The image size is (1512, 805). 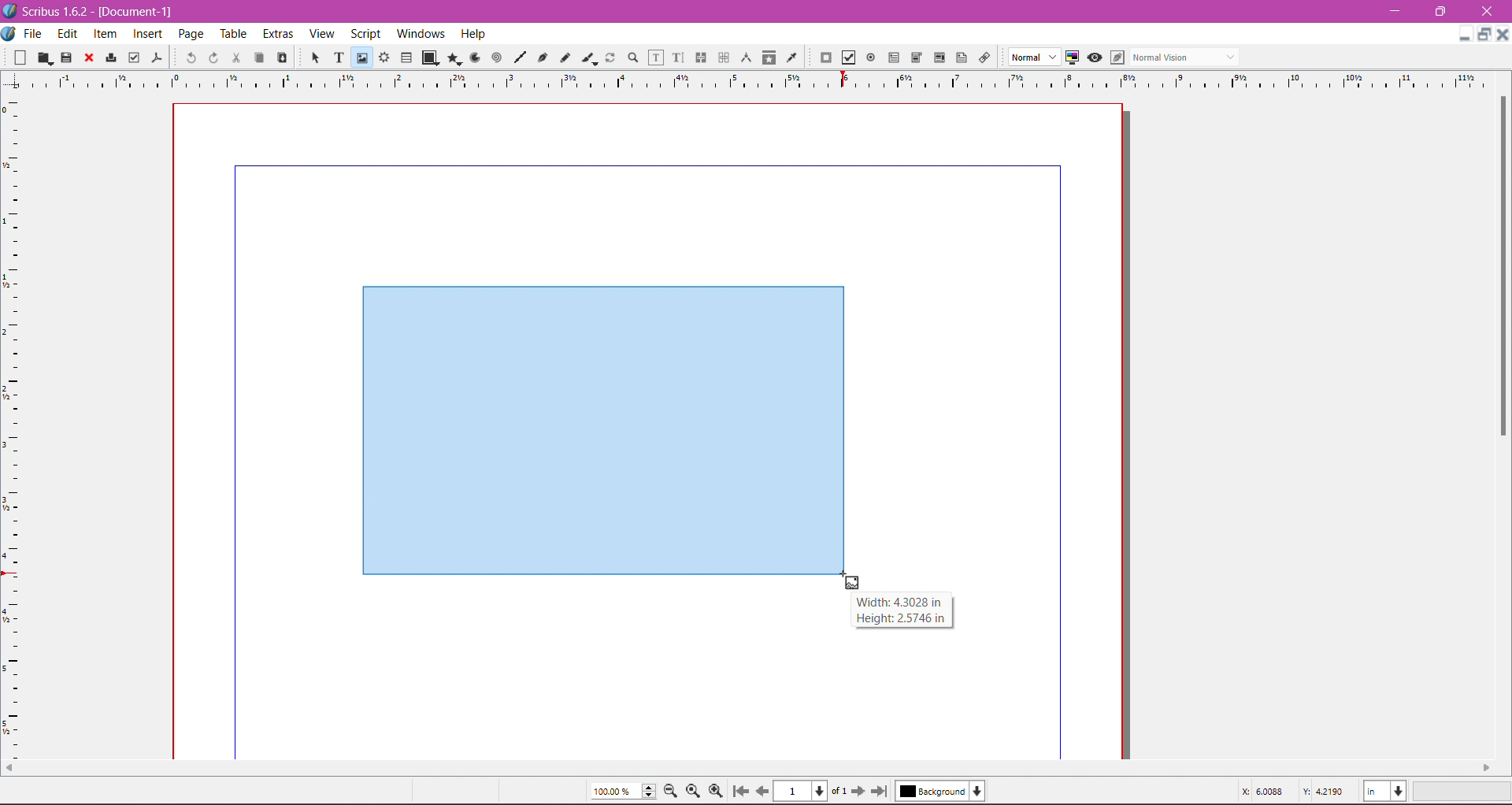 What do you see at coordinates (385, 57) in the screenshot?
I see `Render Frame` at bounding box center [385, 57].